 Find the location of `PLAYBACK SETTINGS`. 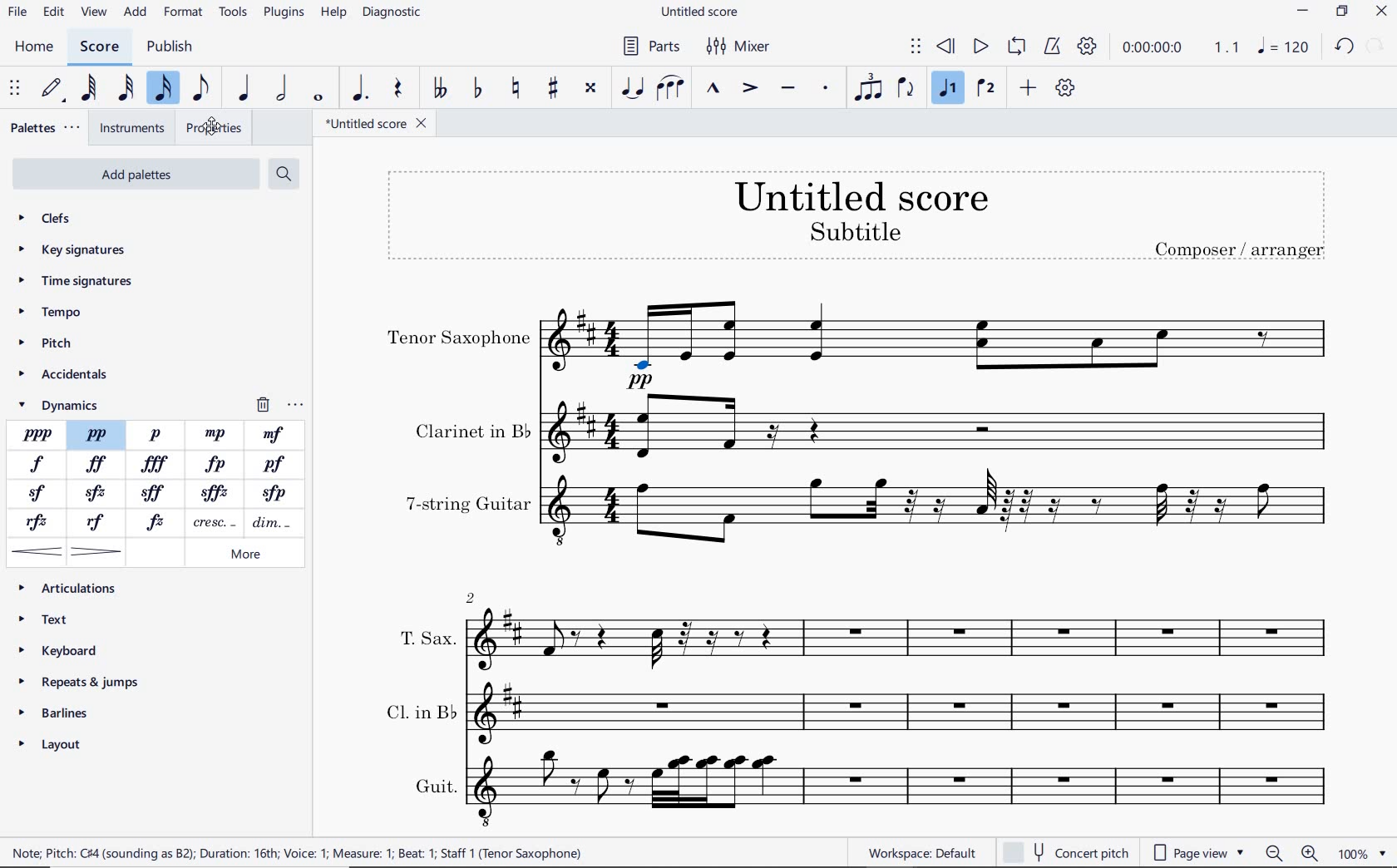

PLAYBACK SETTINGS is located at coordinates (1089, 47).